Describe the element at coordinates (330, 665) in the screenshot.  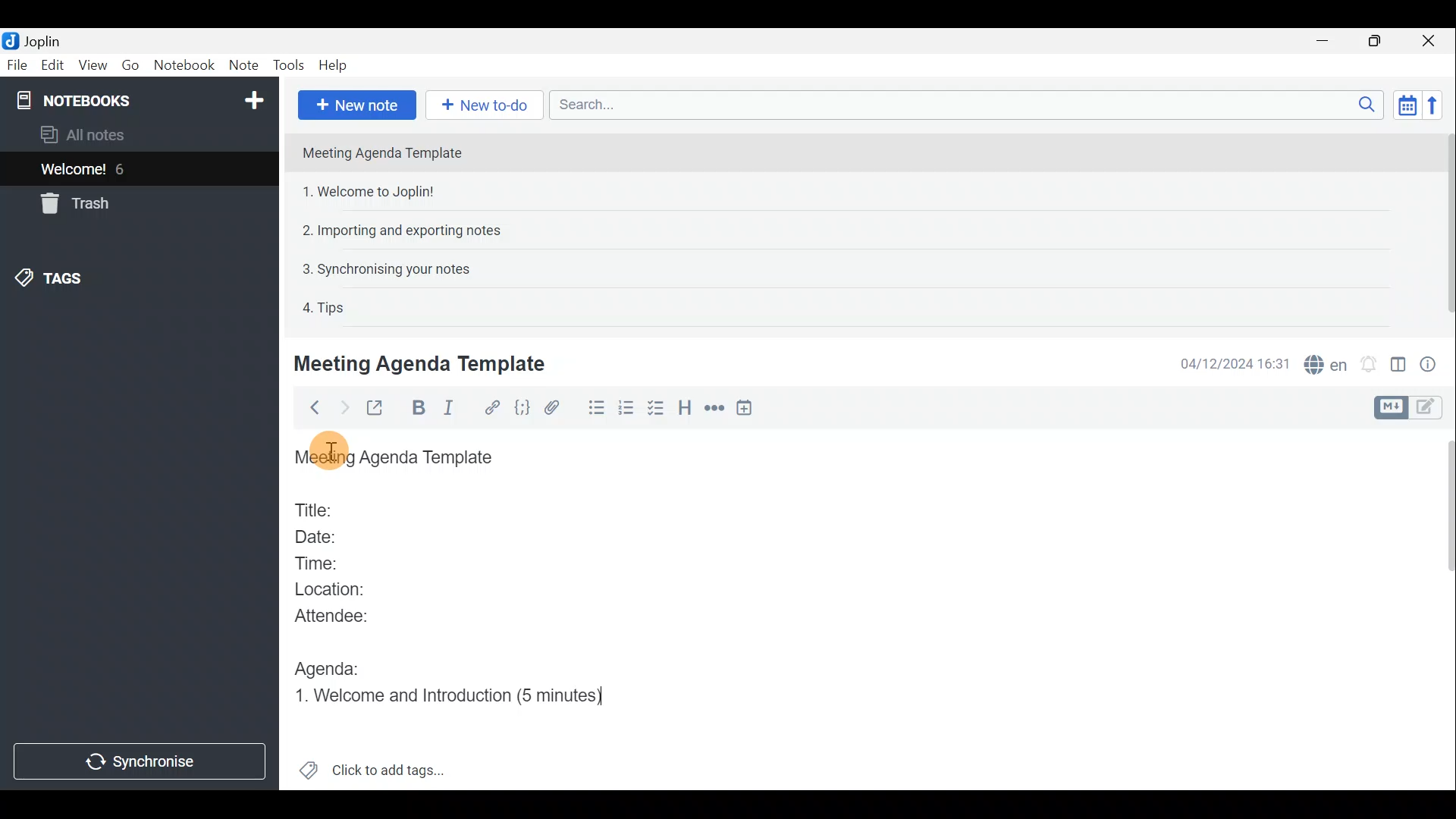
I see `Agenda:` at that location.